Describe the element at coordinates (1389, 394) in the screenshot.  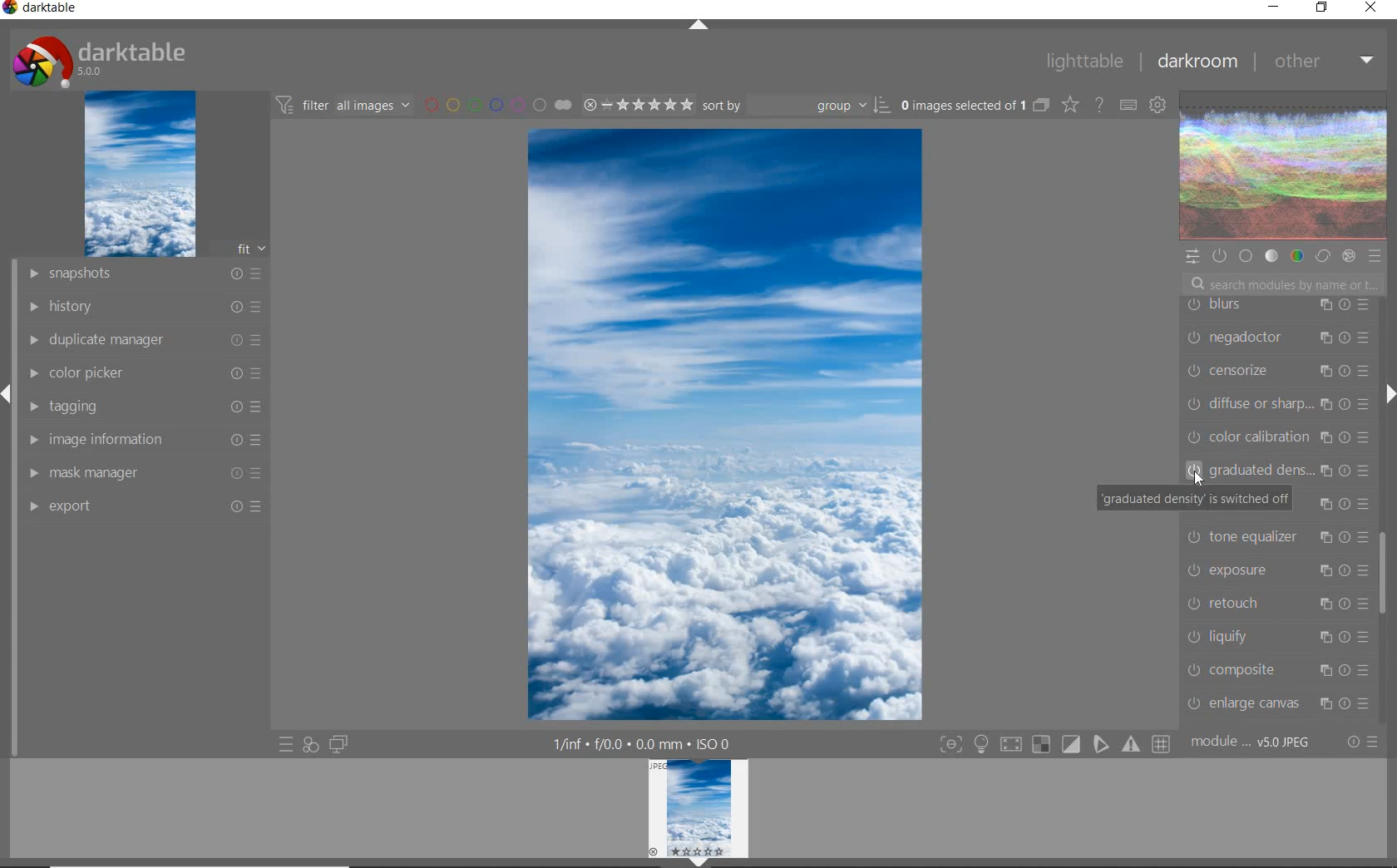
I see `Next` at that location.